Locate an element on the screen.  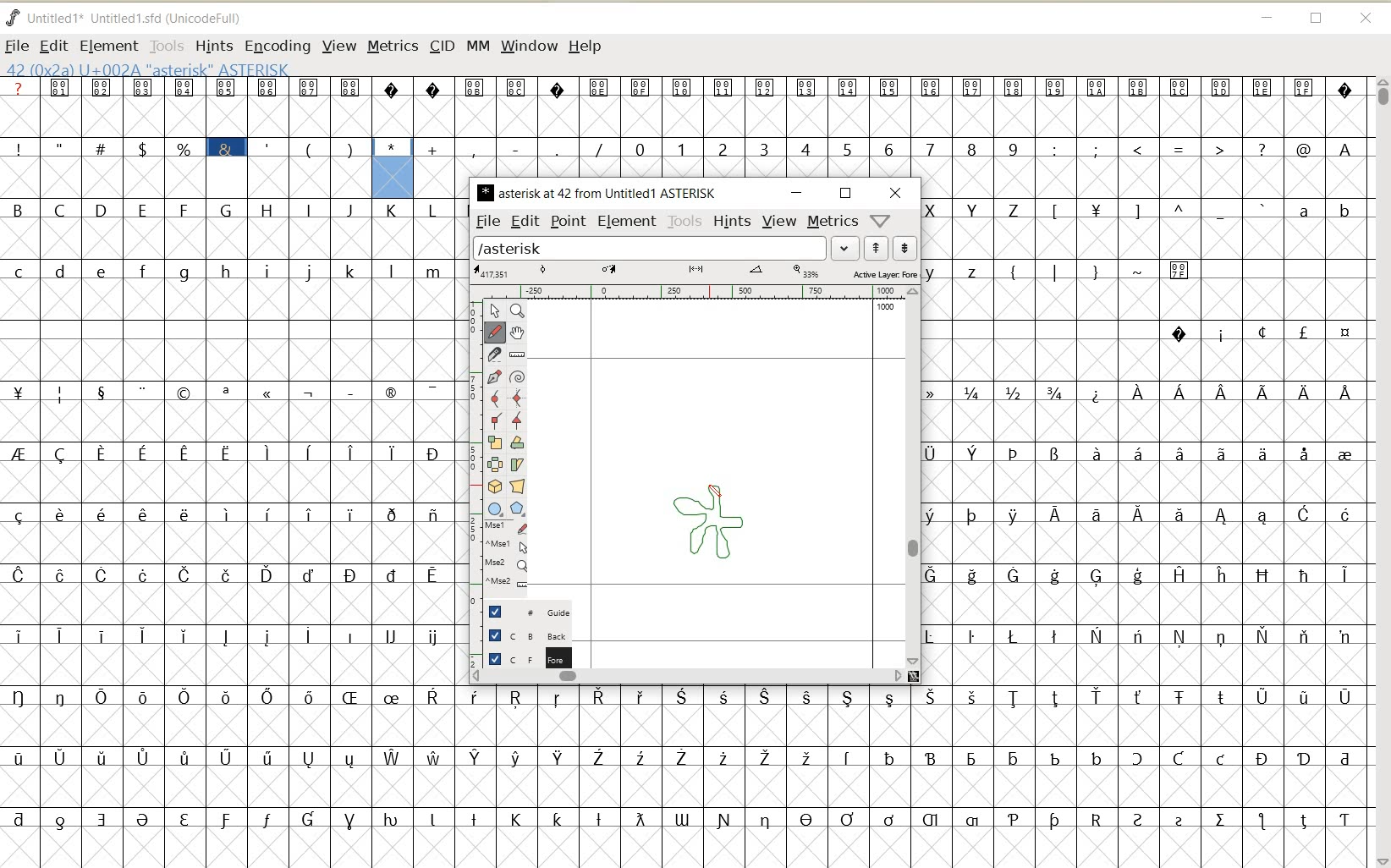
EDIT is located at coordinates (524, 222).